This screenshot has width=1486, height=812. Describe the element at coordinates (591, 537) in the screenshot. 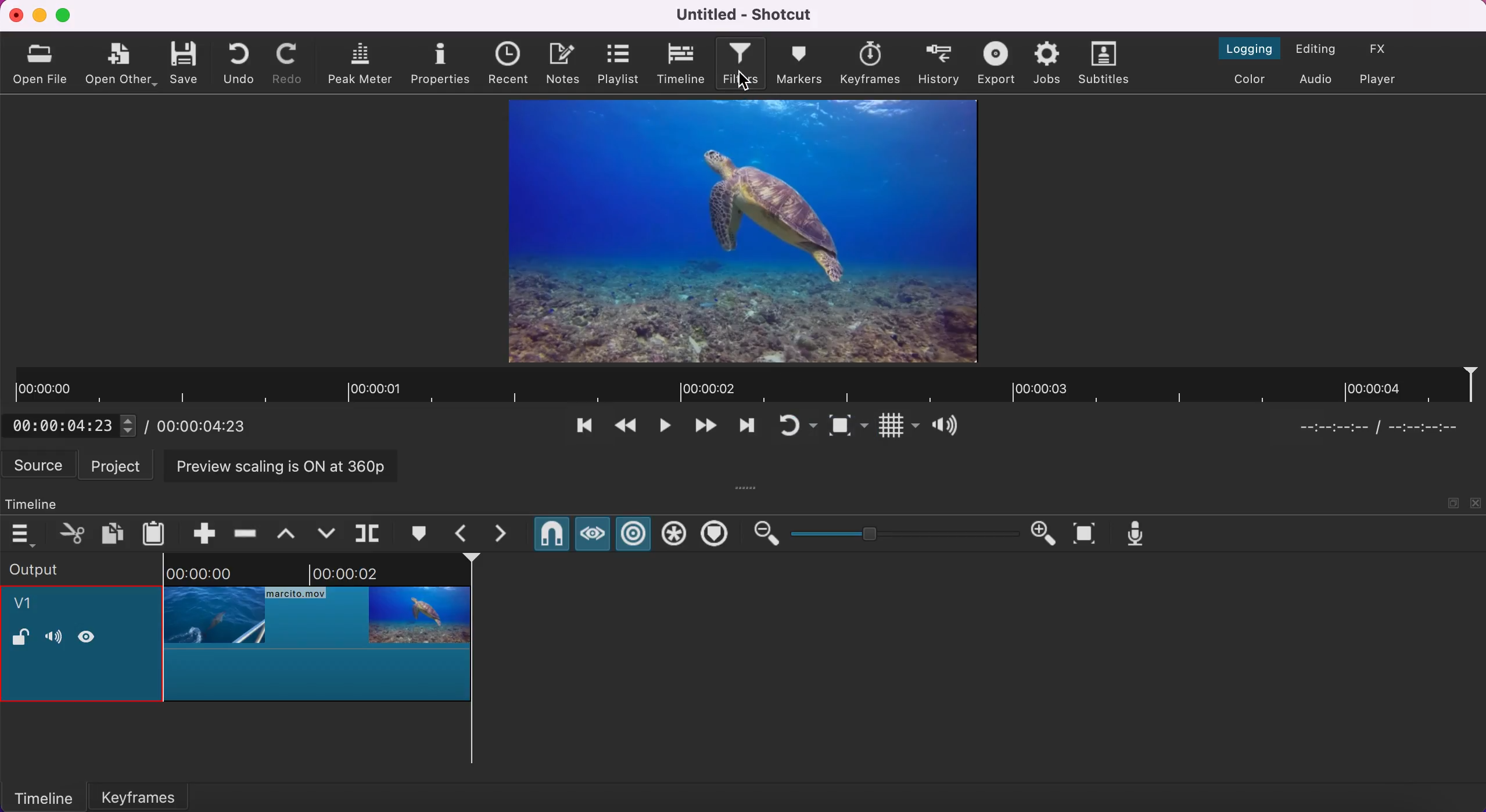

I see `scrub while draggins` at that location.